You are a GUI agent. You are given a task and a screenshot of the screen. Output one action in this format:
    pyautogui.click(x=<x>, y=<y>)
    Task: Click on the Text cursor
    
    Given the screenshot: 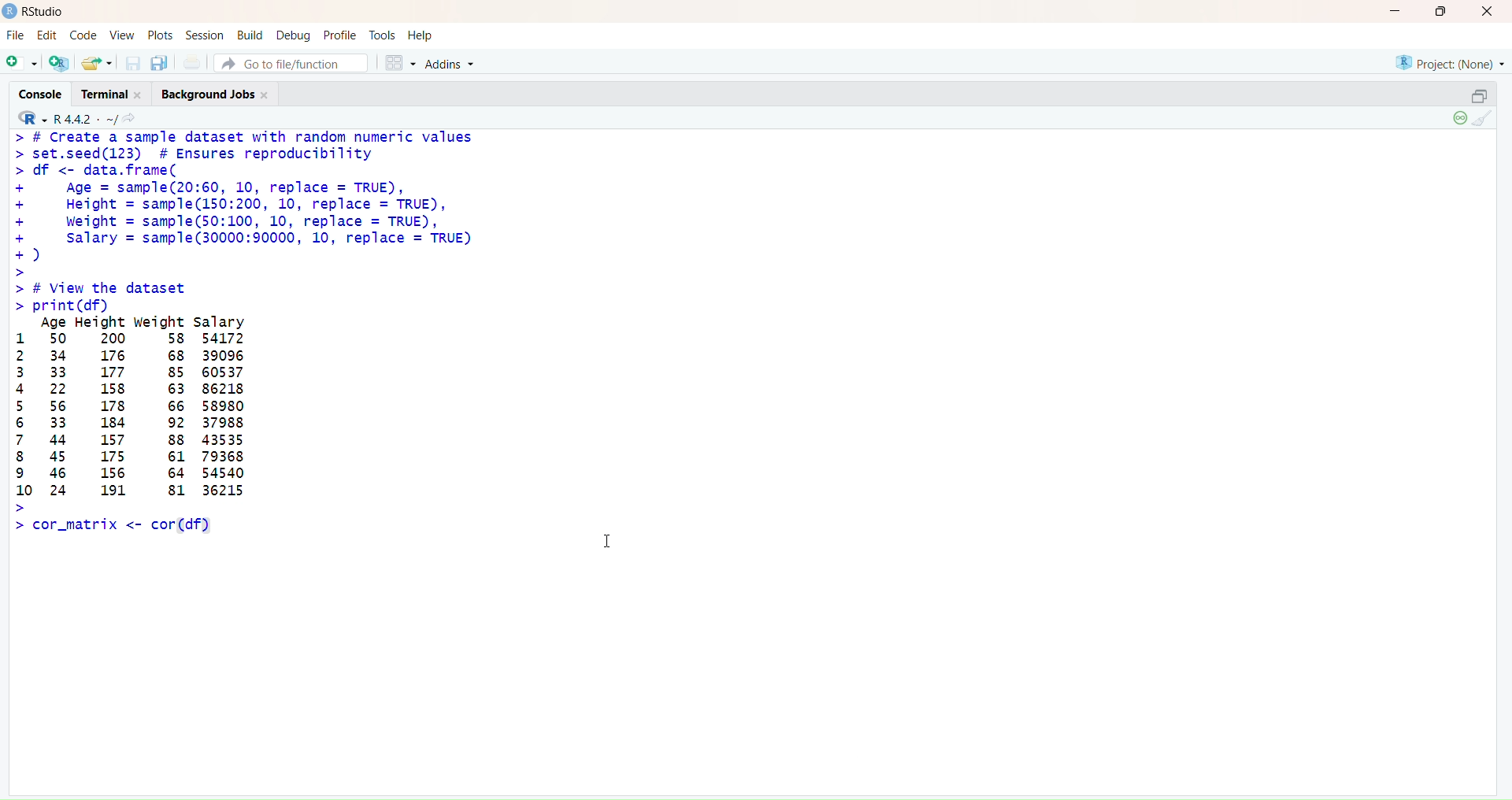 What is the action you would take?
    pyautogui.click(x=608, y=538)
    